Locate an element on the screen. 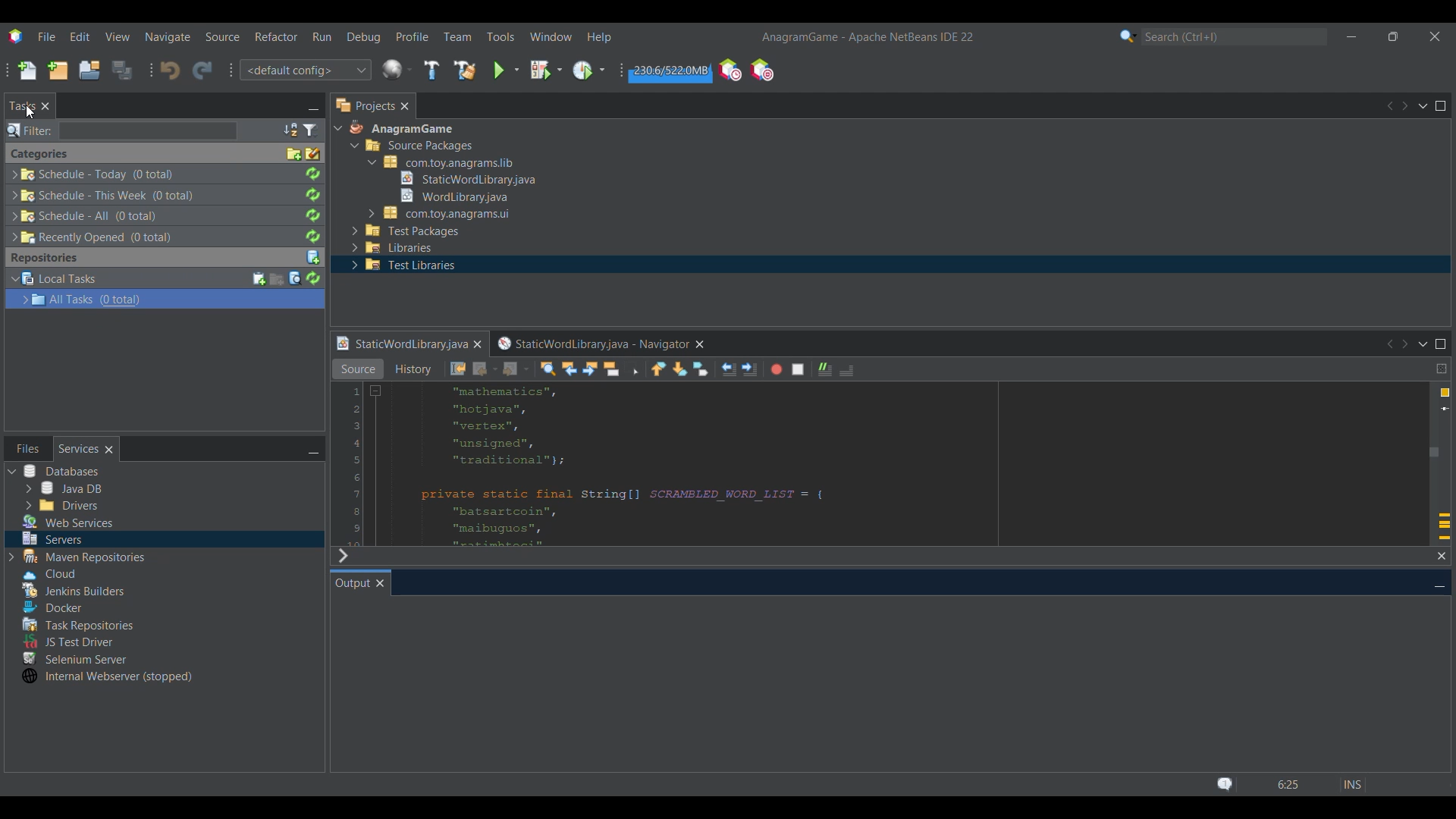  Clean and build main project is located at coordinates (465, 70).